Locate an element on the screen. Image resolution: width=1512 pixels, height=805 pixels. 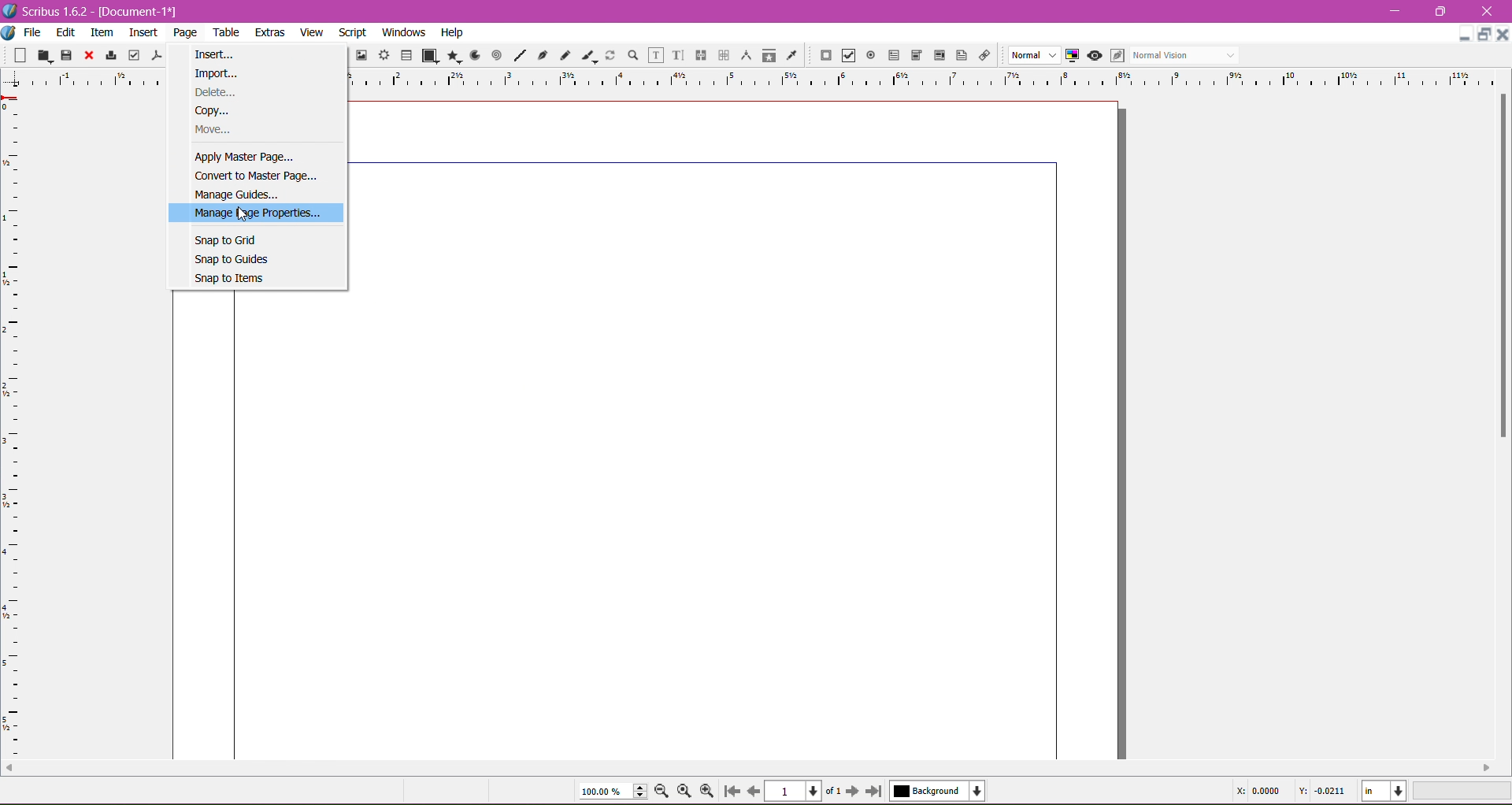
PDF Push Button is located at coordinates (825, 56).